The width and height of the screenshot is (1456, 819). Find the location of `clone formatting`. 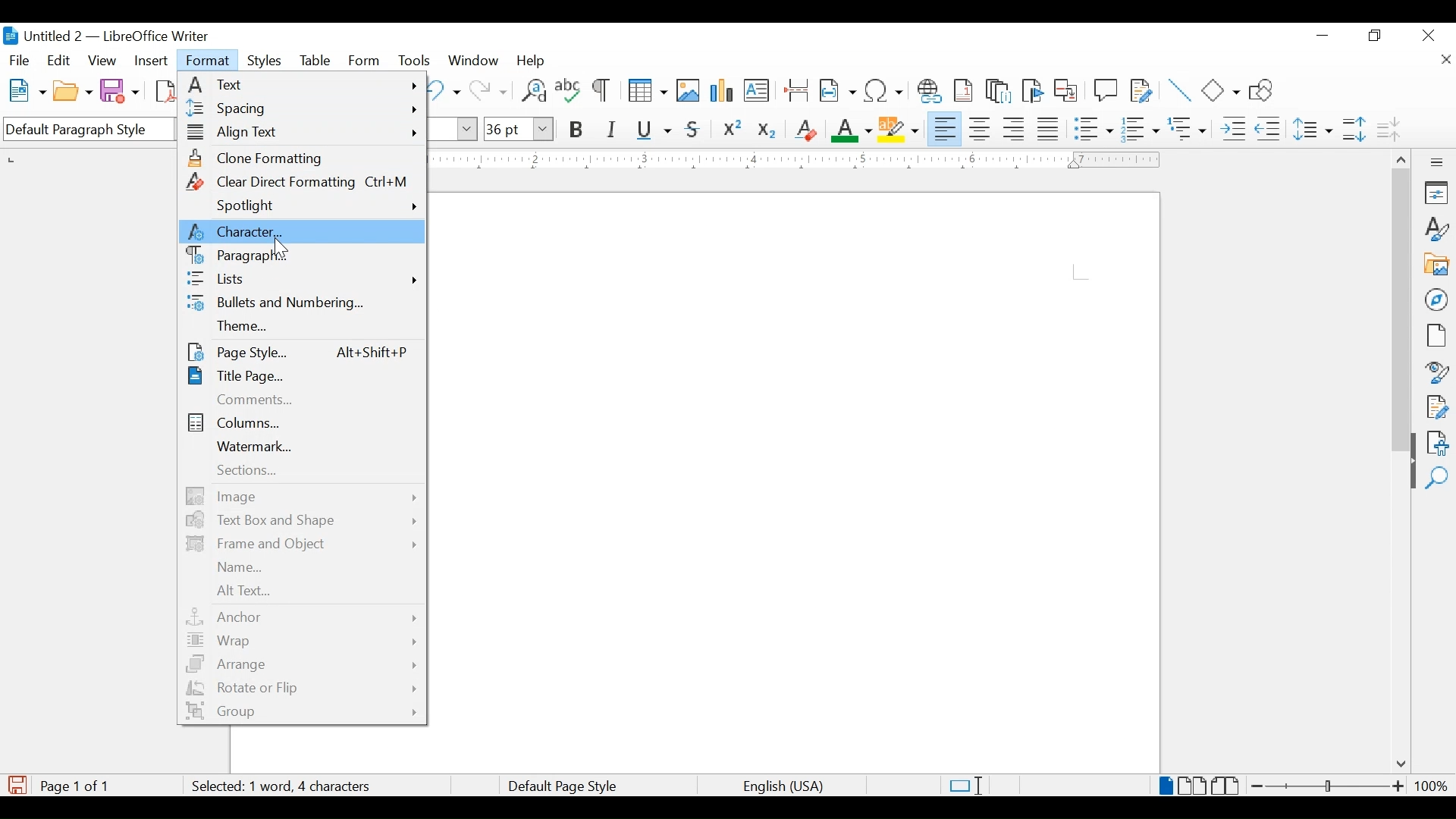

clone formatting is located at coordinates (259, 158).